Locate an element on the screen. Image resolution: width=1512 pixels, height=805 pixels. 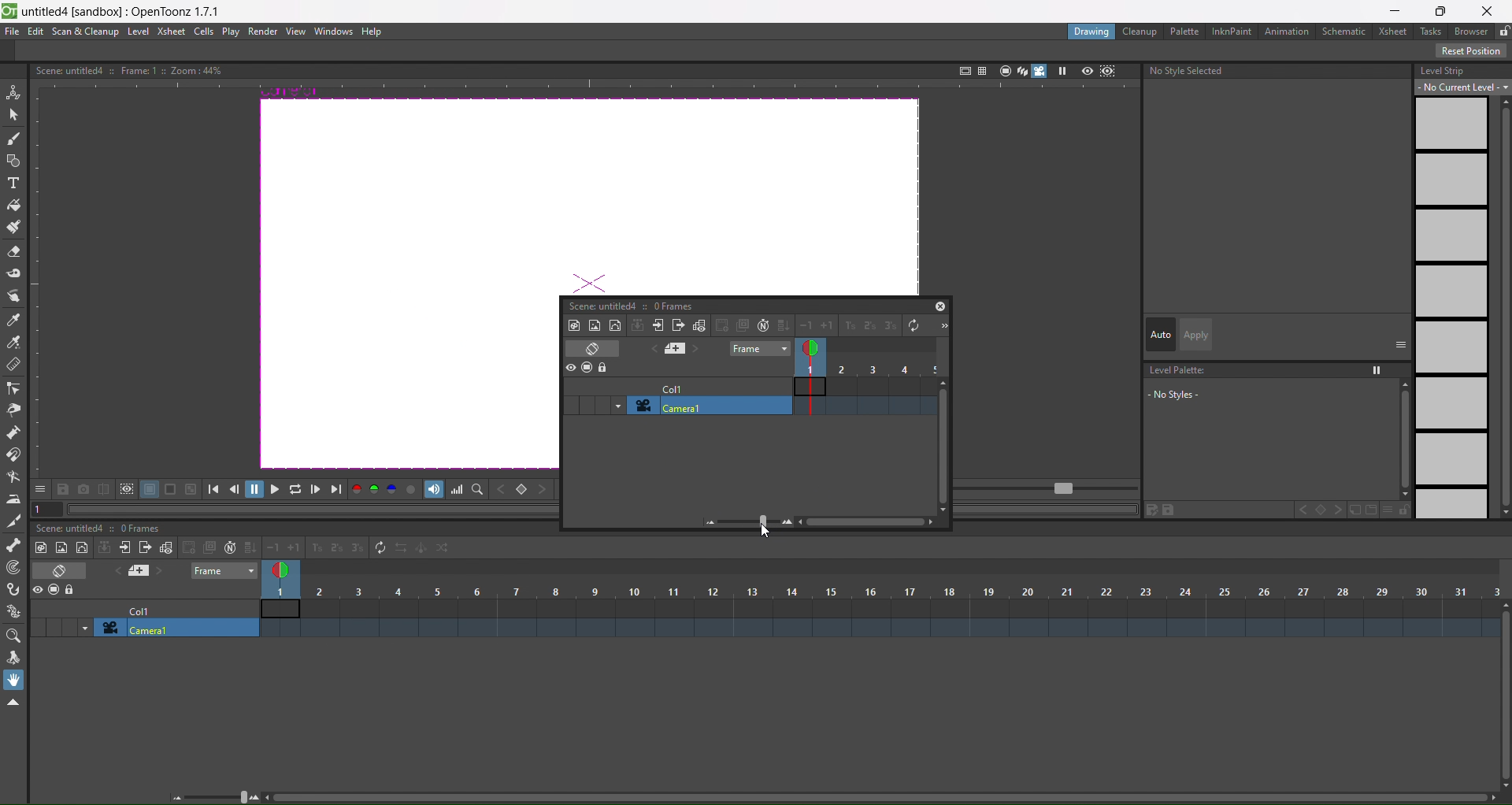
scroll bar is located at coordinates (1503, 696).